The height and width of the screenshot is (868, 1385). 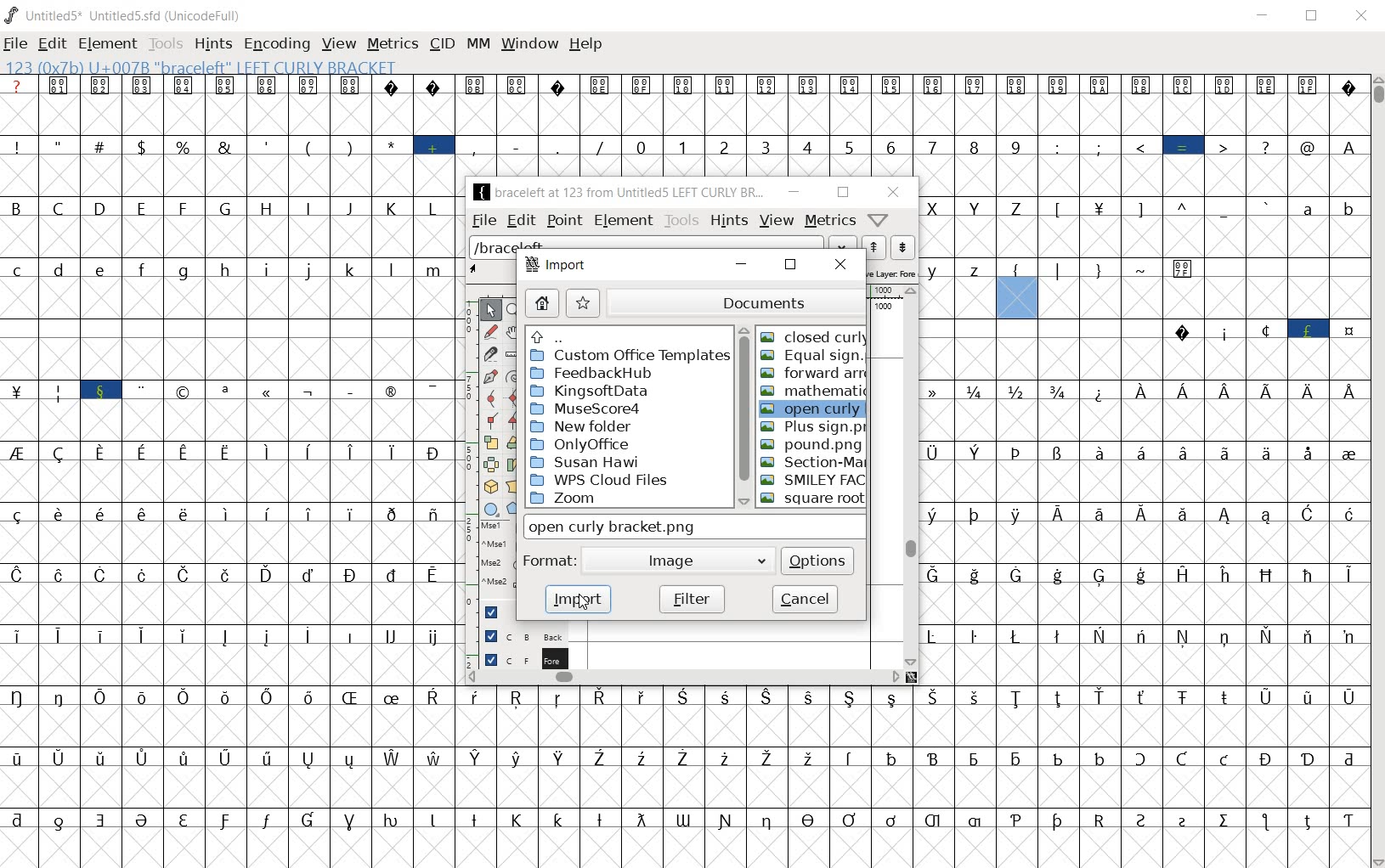 I want to click on tools, so click(x=166, y=45).